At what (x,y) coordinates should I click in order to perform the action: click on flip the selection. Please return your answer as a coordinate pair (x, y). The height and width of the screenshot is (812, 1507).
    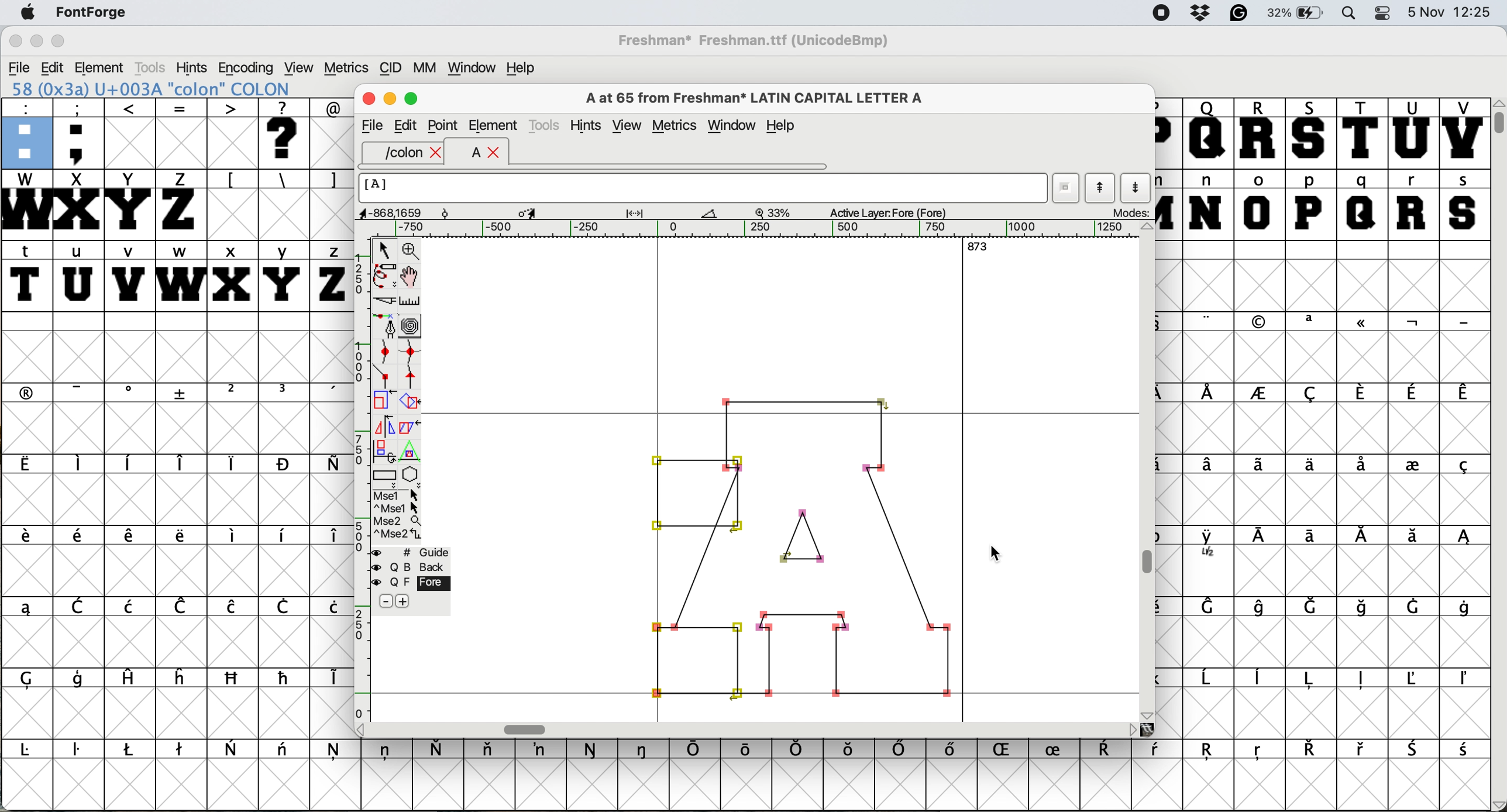
    Looking at the image, I should click on (383, 422).